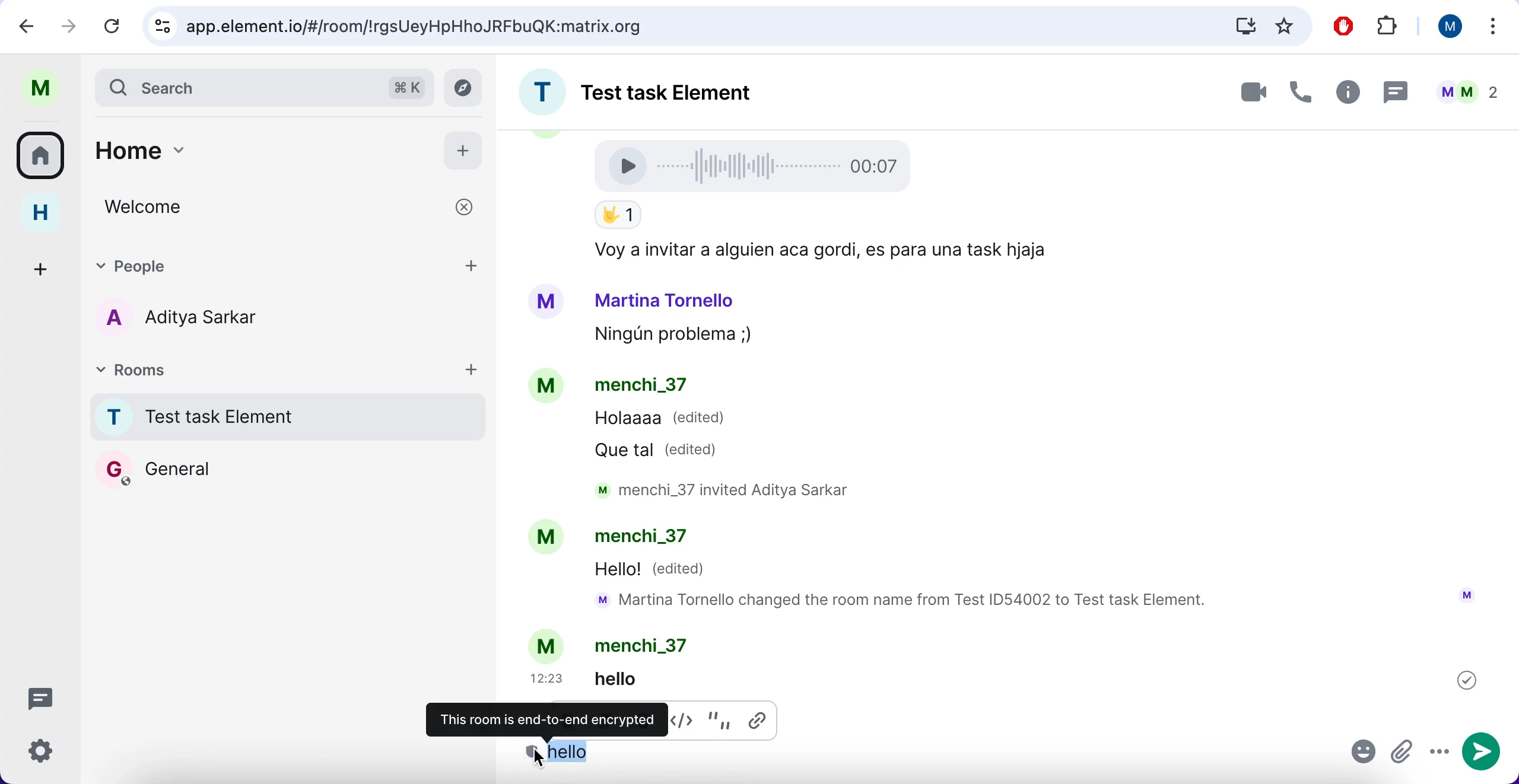 This screenshot has width=1519, height=784. What do you see at coordinates (27, 25) in the screenshot?
I see `backward` at bounding box center [27, 25].